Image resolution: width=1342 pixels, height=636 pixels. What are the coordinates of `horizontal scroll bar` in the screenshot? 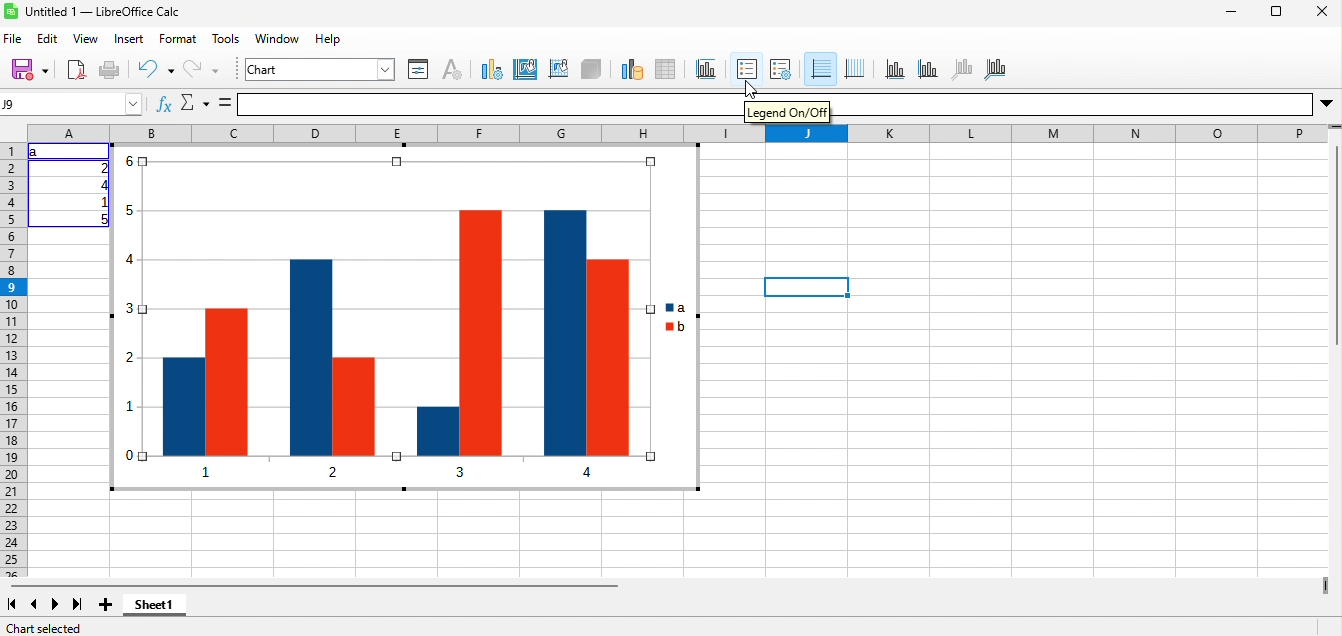 It's located at (312, 585).